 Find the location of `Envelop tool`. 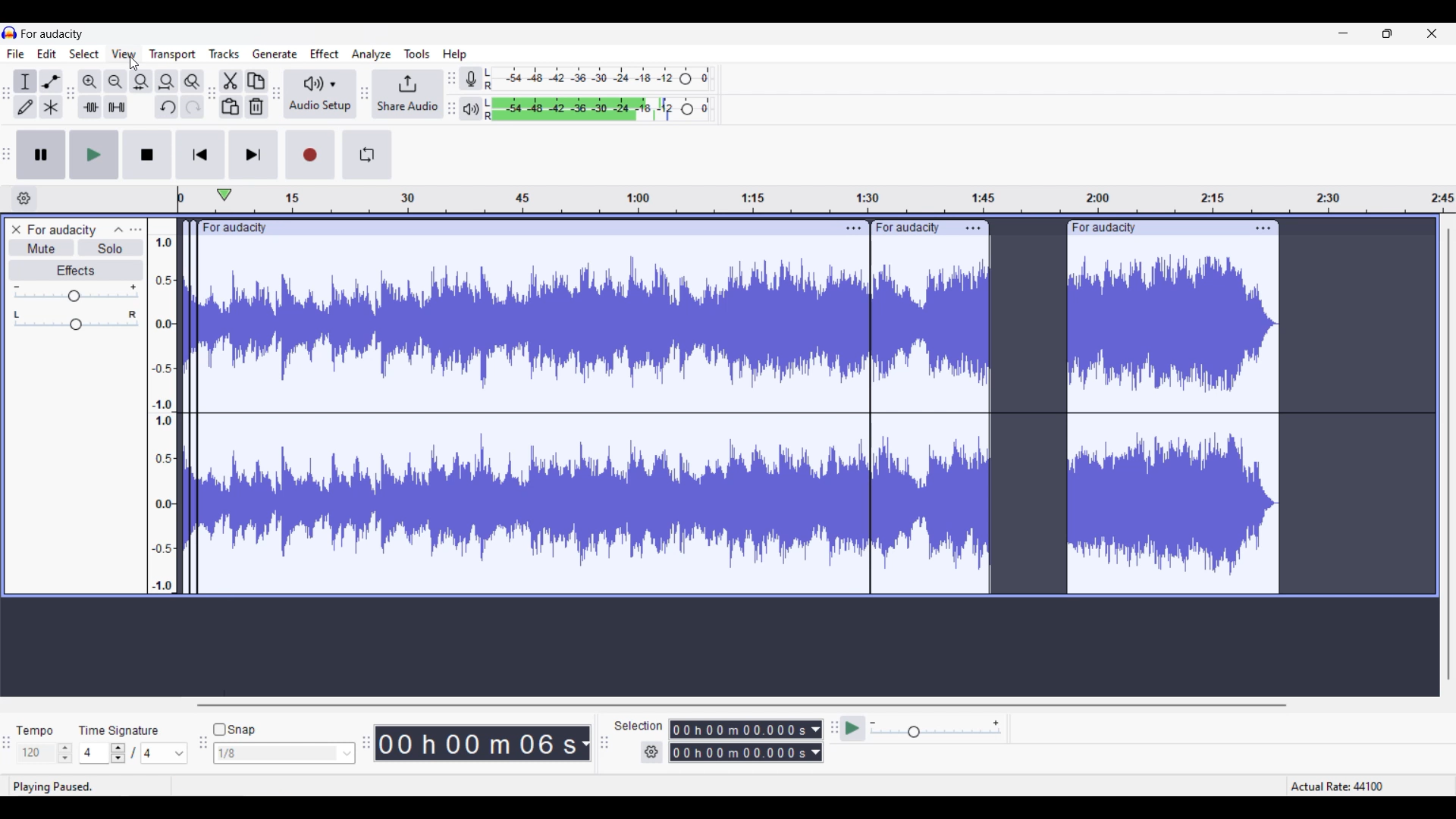

Envelop tool is located at coordinates (51, 81).